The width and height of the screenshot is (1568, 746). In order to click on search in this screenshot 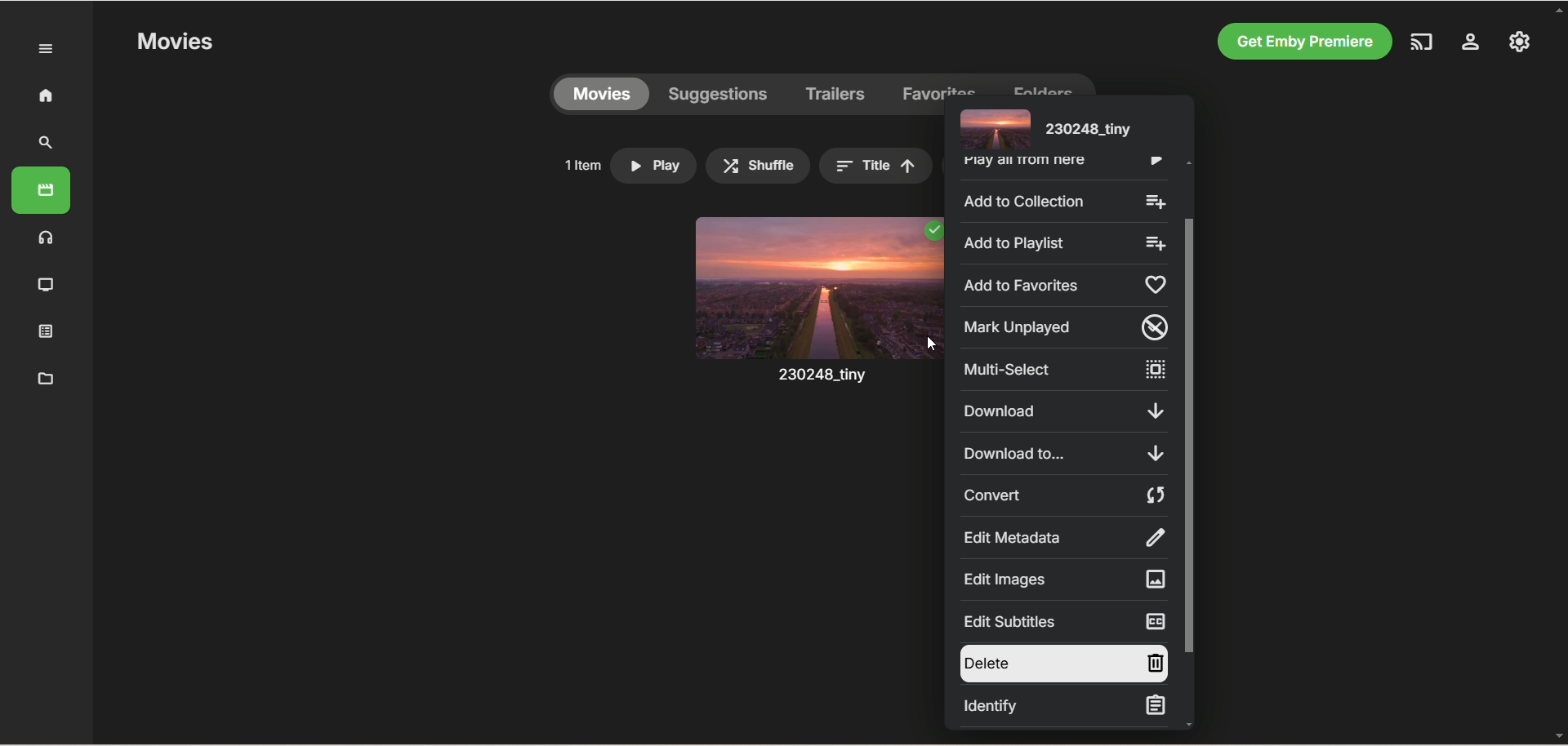, I will do `click(47, 143)`.